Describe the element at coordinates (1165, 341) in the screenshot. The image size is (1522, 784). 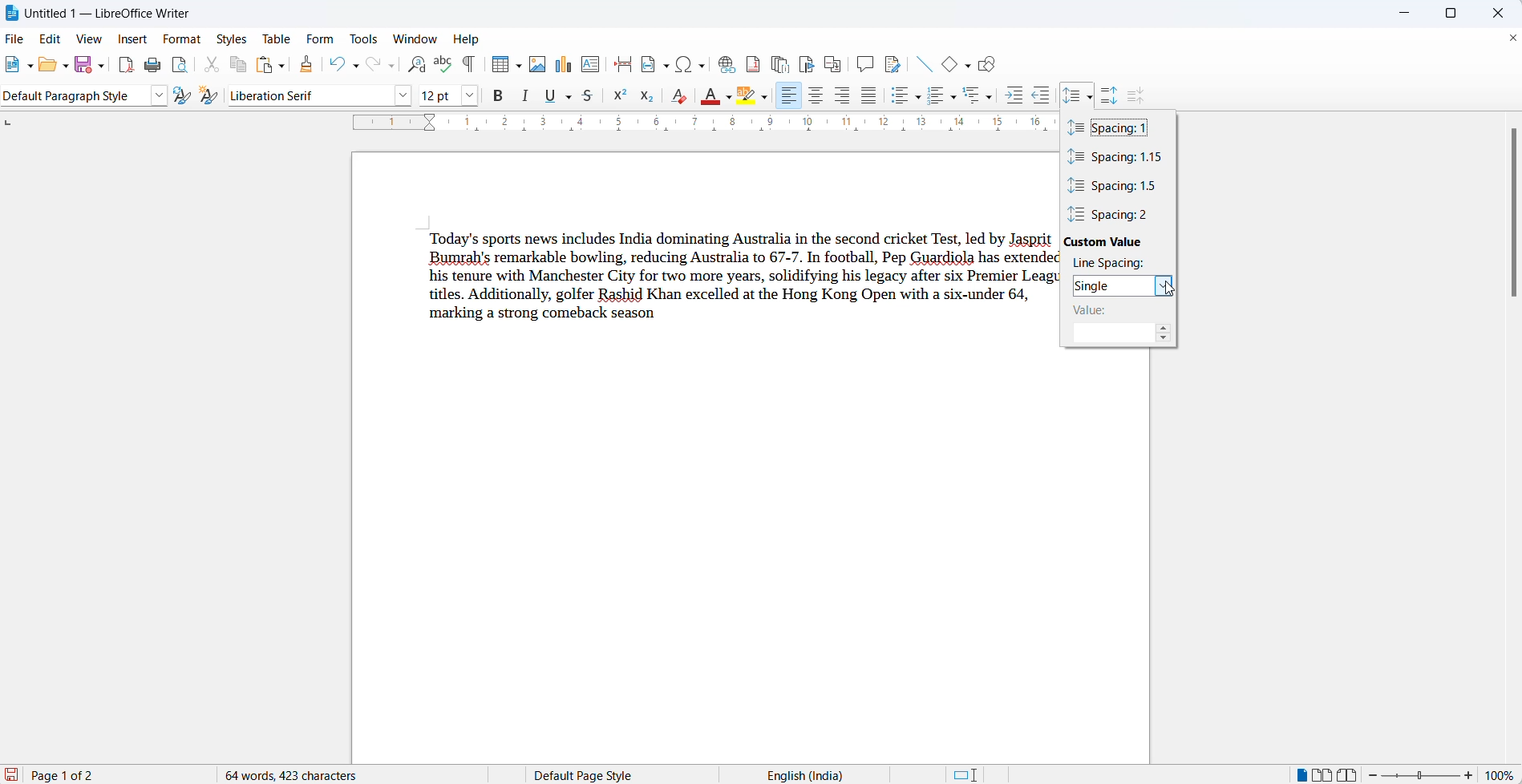
I see `down button` at that location.